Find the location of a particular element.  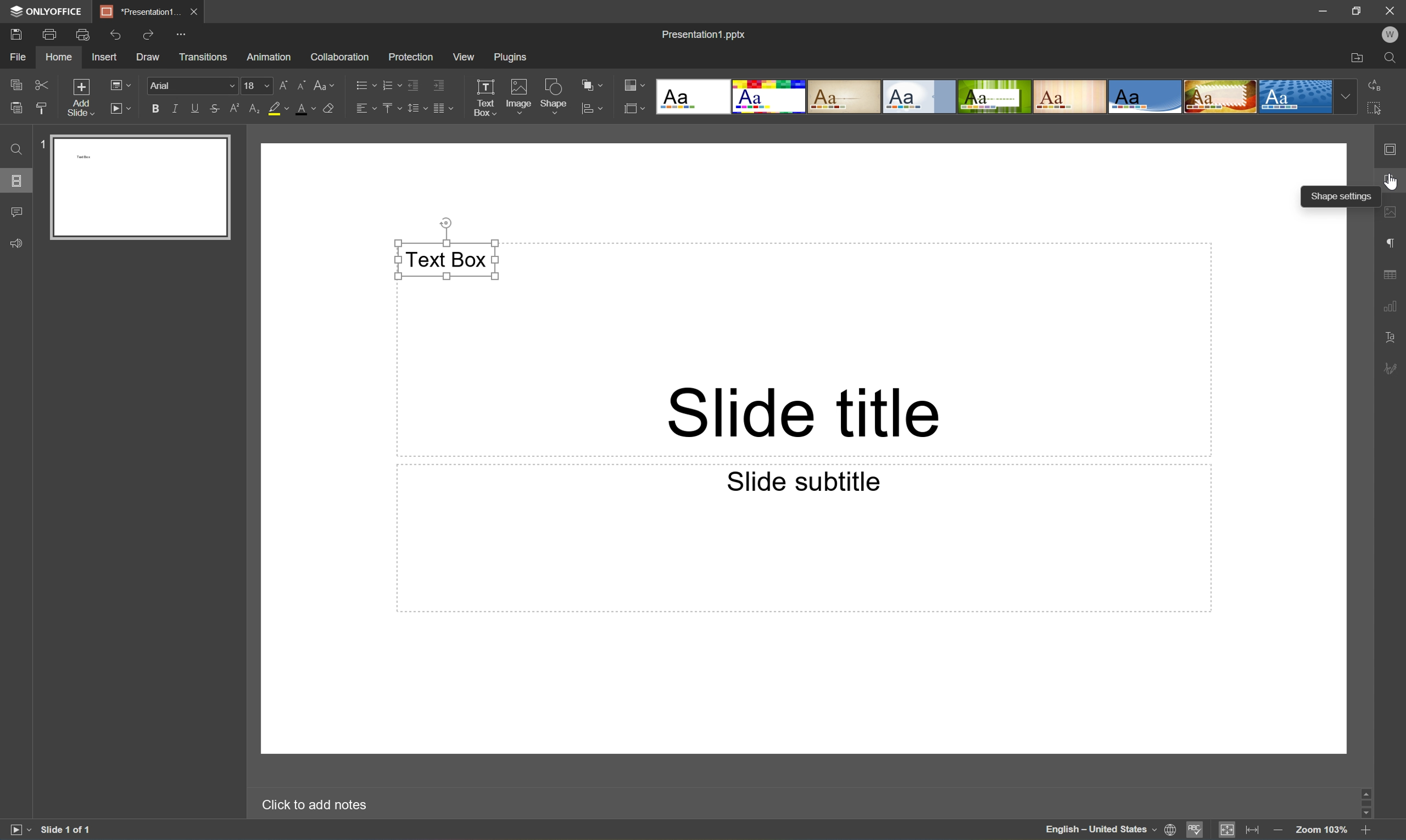

Draw is located at coordinates (148, 56).